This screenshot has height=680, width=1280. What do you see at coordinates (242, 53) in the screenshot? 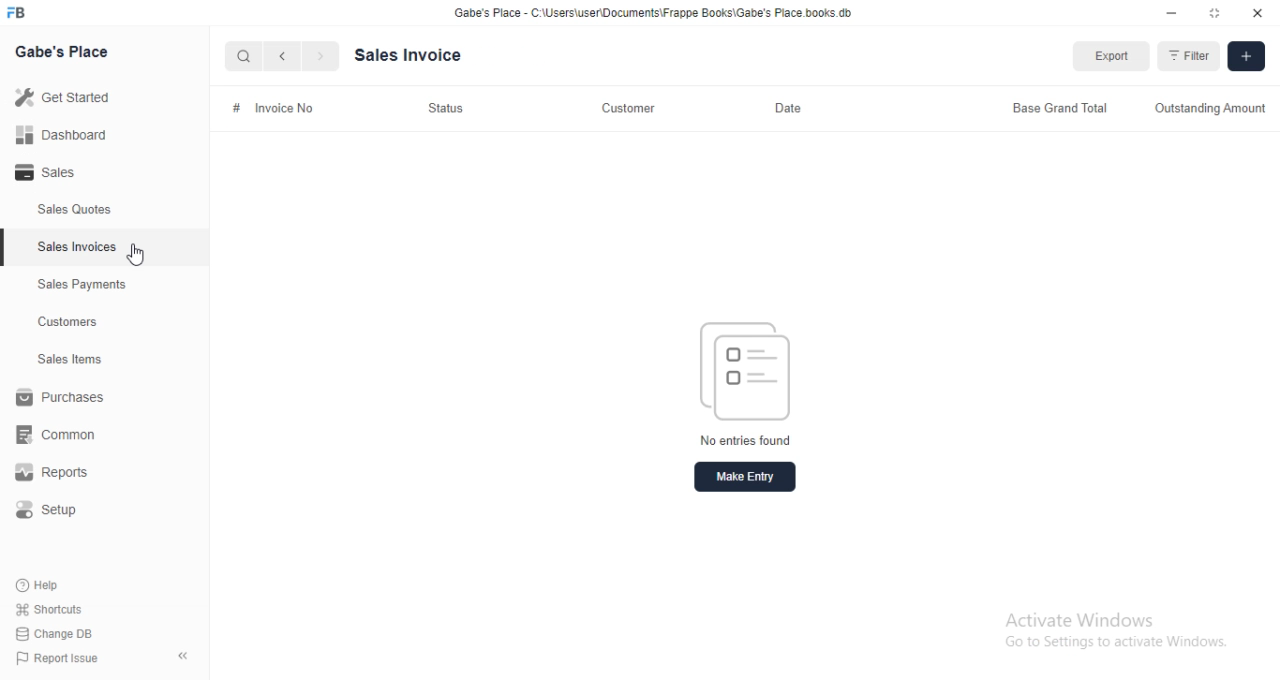
I see `Search` at bounding box center [242, 53].